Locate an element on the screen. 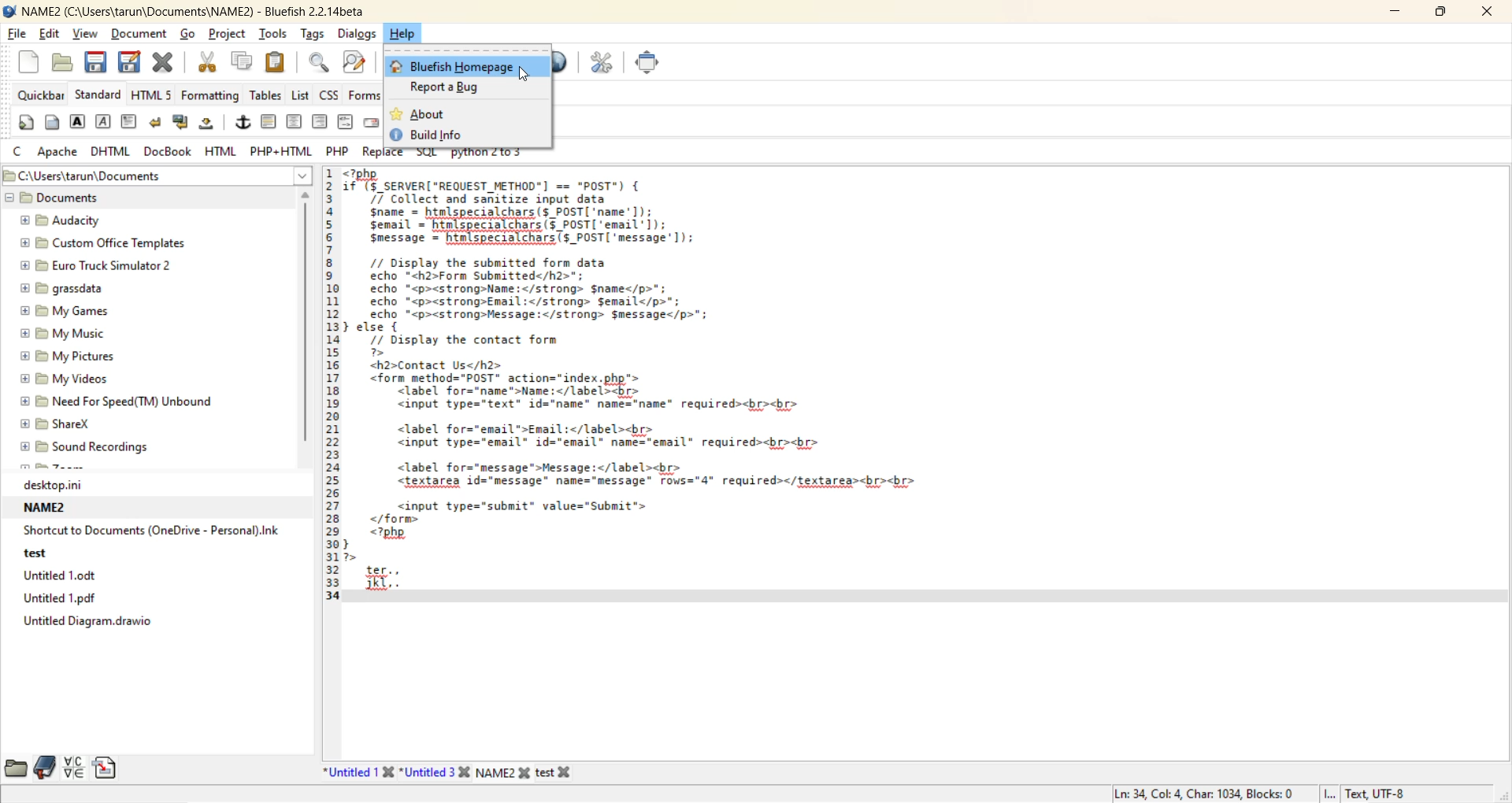 This screenshot has height=803, width=1512. email is located at coordinates (376, 124).